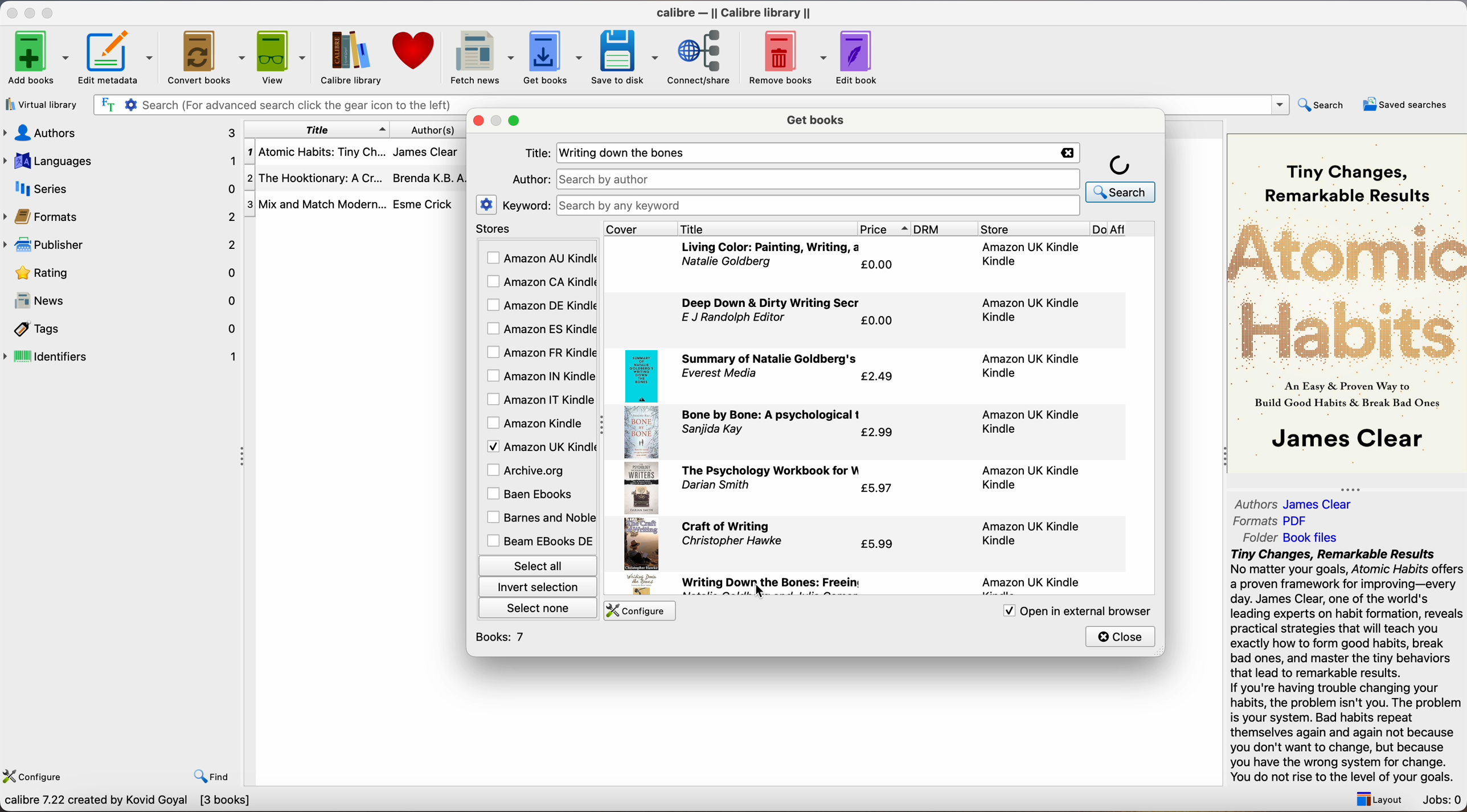 The width and height of the screenshot is (1467, 812). Describe the element at coordinates (540, 329) in the screenshot. I see `Amazon ES Kindle` at that location.